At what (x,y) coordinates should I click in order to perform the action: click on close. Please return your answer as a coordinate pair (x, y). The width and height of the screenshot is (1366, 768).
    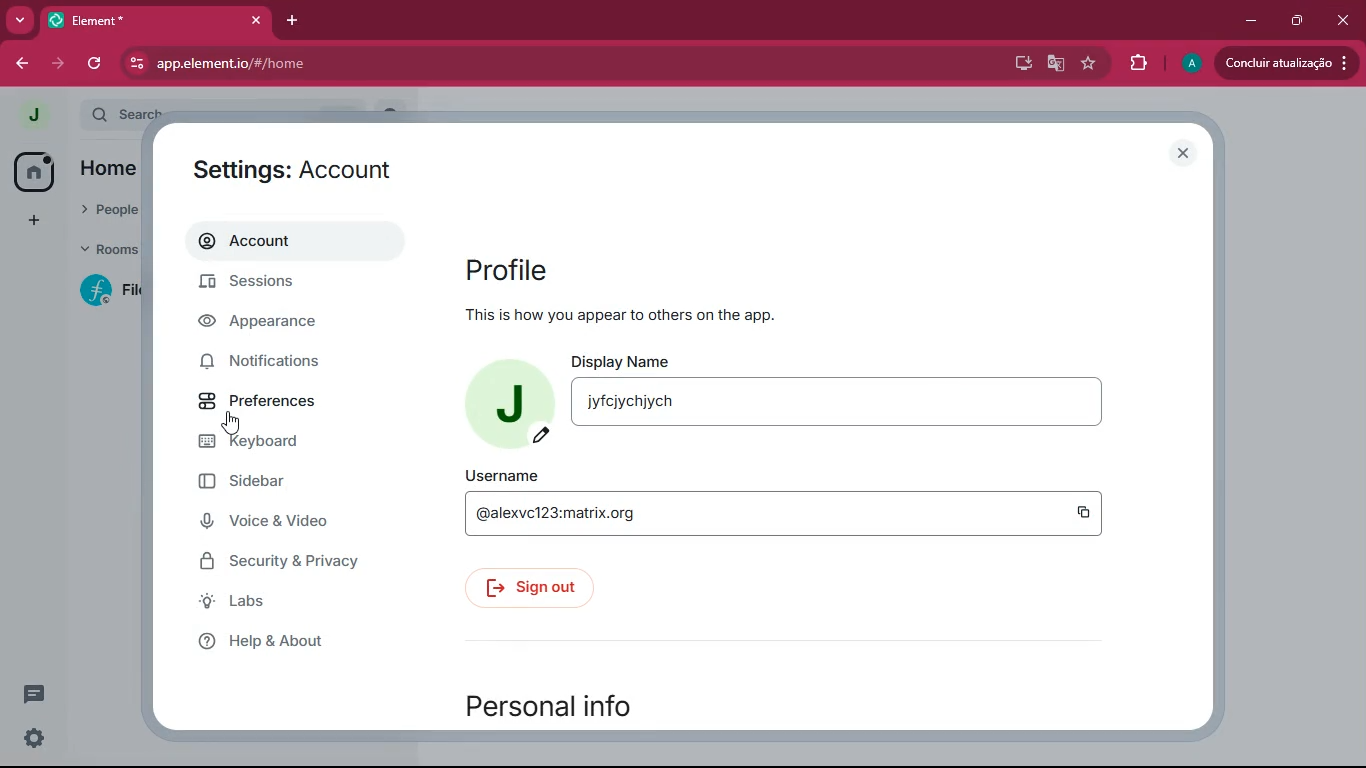
    Looking at the image, I should click on (1342, 17).